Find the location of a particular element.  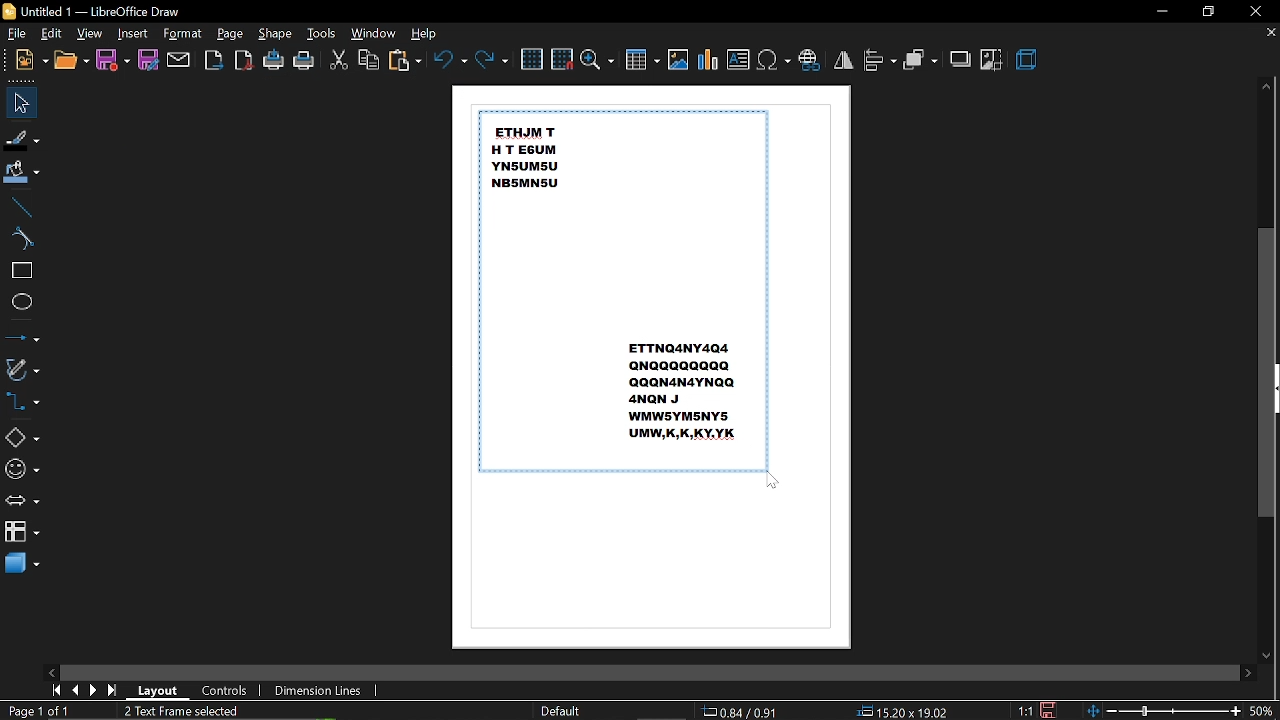

grid is located at coordinates (532, 58).